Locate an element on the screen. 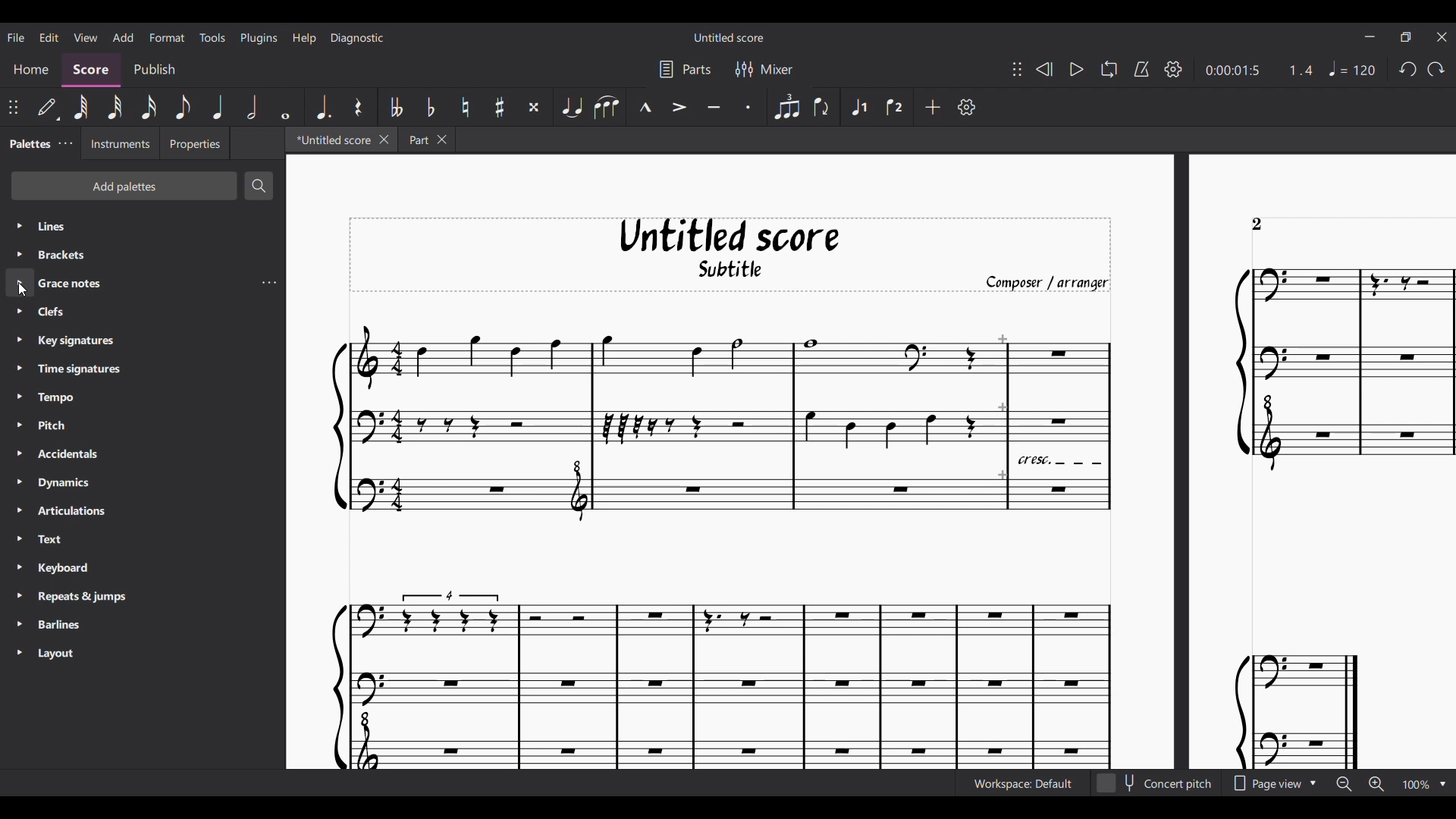  Tuplet is located at coordinates (786, 107).